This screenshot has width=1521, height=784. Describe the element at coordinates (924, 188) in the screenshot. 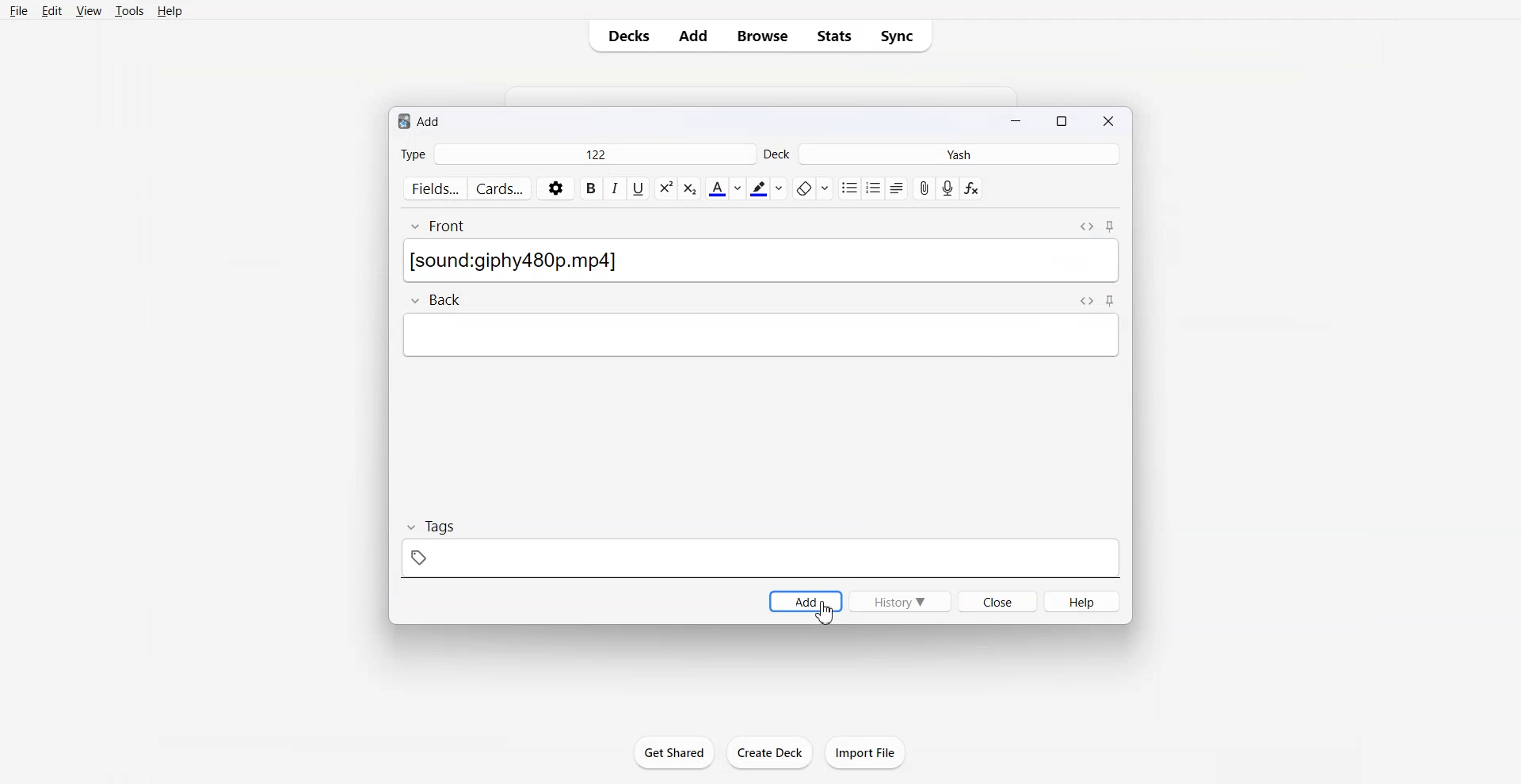

I see `Attach file` at that location.